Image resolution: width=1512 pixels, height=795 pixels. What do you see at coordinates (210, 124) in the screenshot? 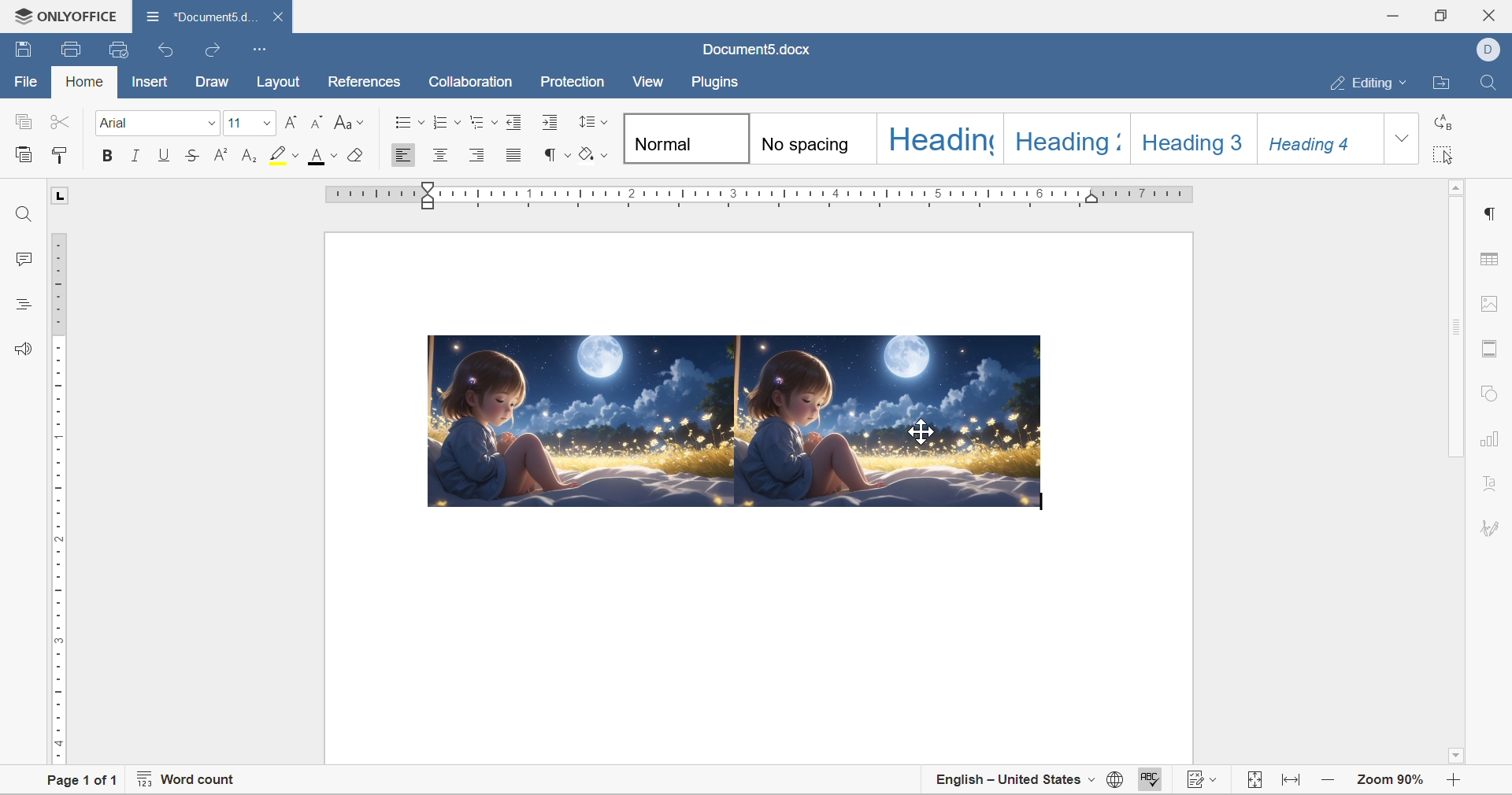
I see `drop down` at bounding box center [210, 124].